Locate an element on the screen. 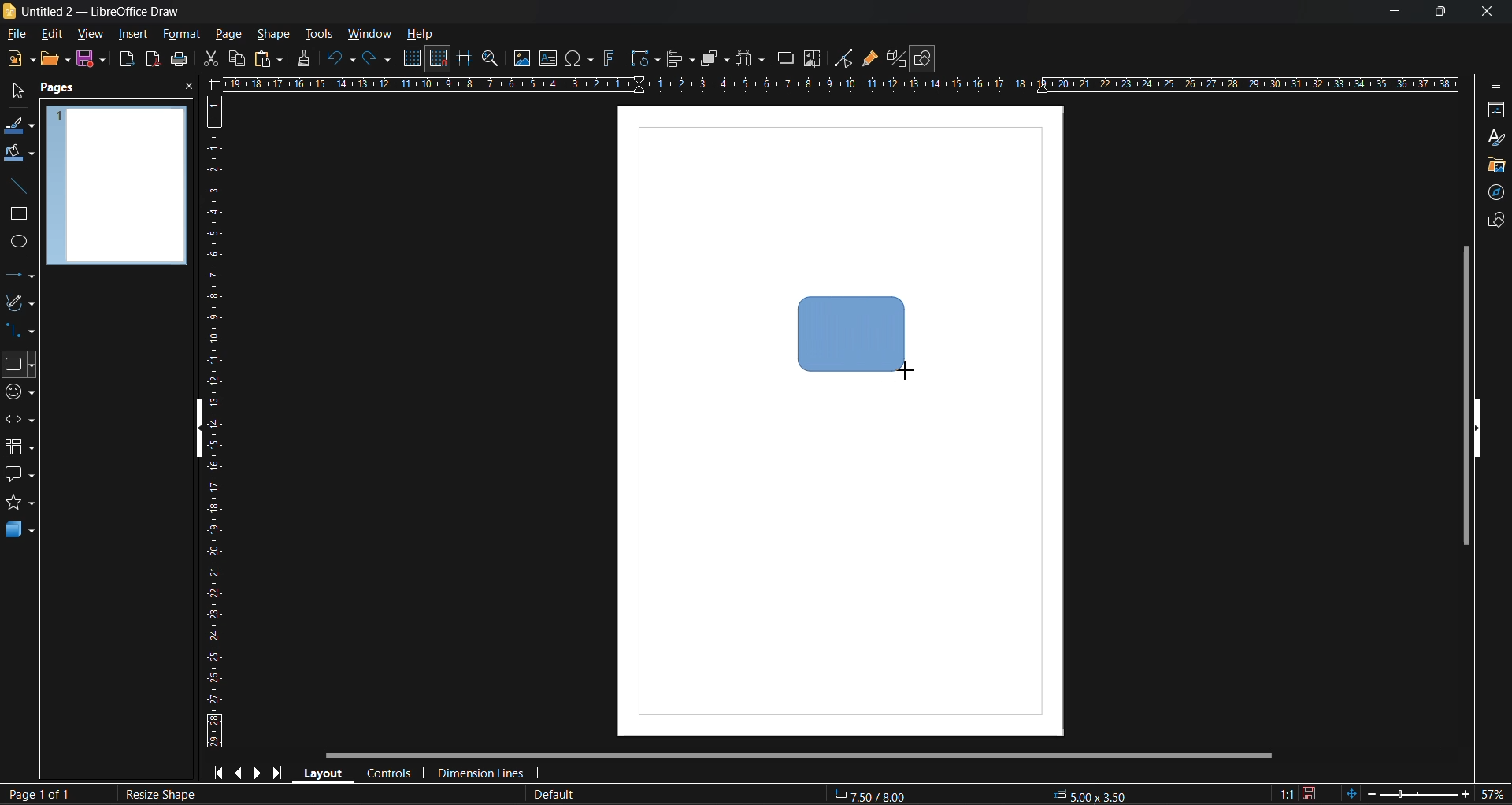 The width and height of the screenshot is (1512, 805). copy is located at coordinates (236, 59).